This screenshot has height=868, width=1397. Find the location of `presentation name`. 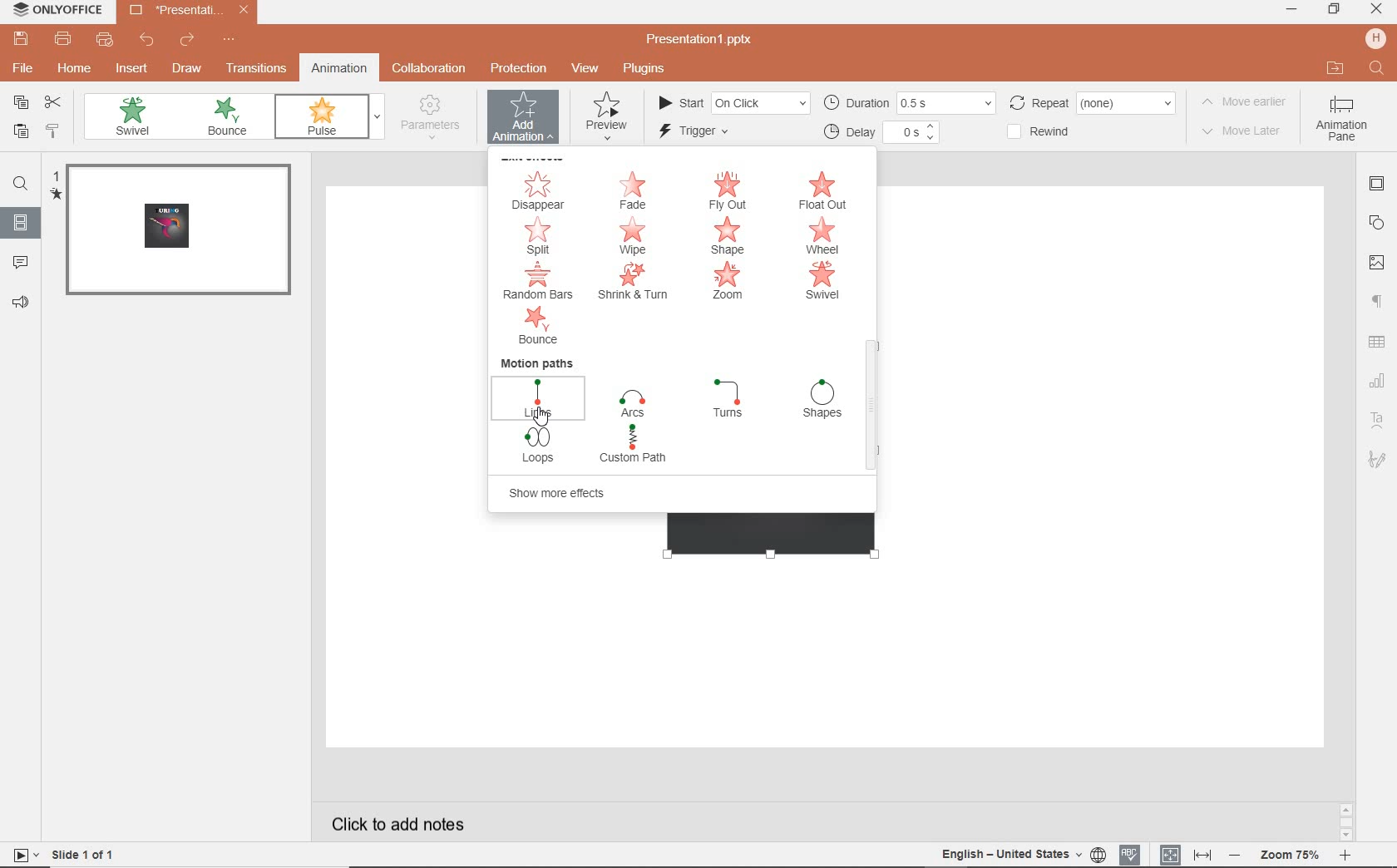

presentation name is located at coordinates (189, 9).